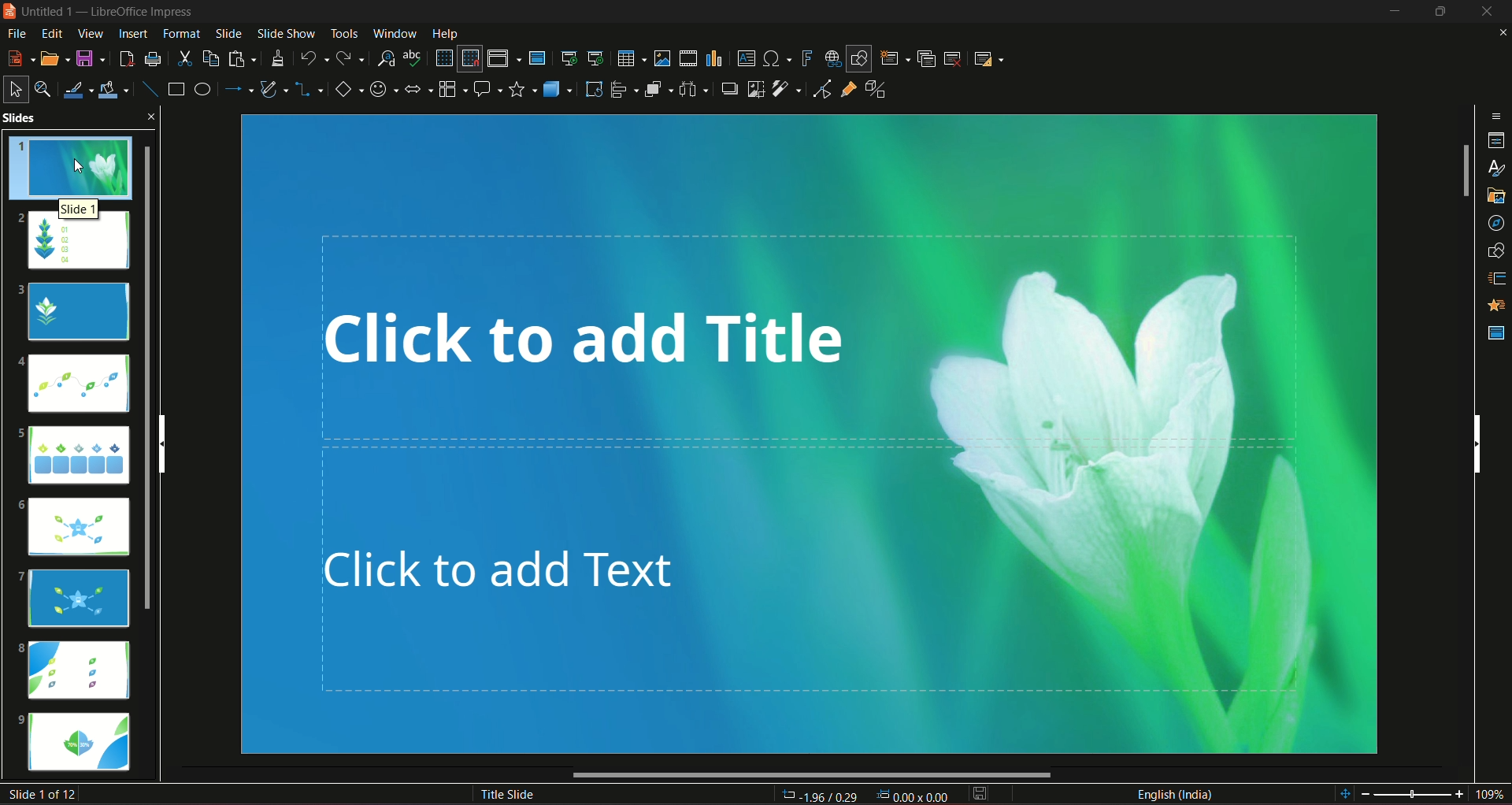  I want to click on slide 8, so click(78, 670).